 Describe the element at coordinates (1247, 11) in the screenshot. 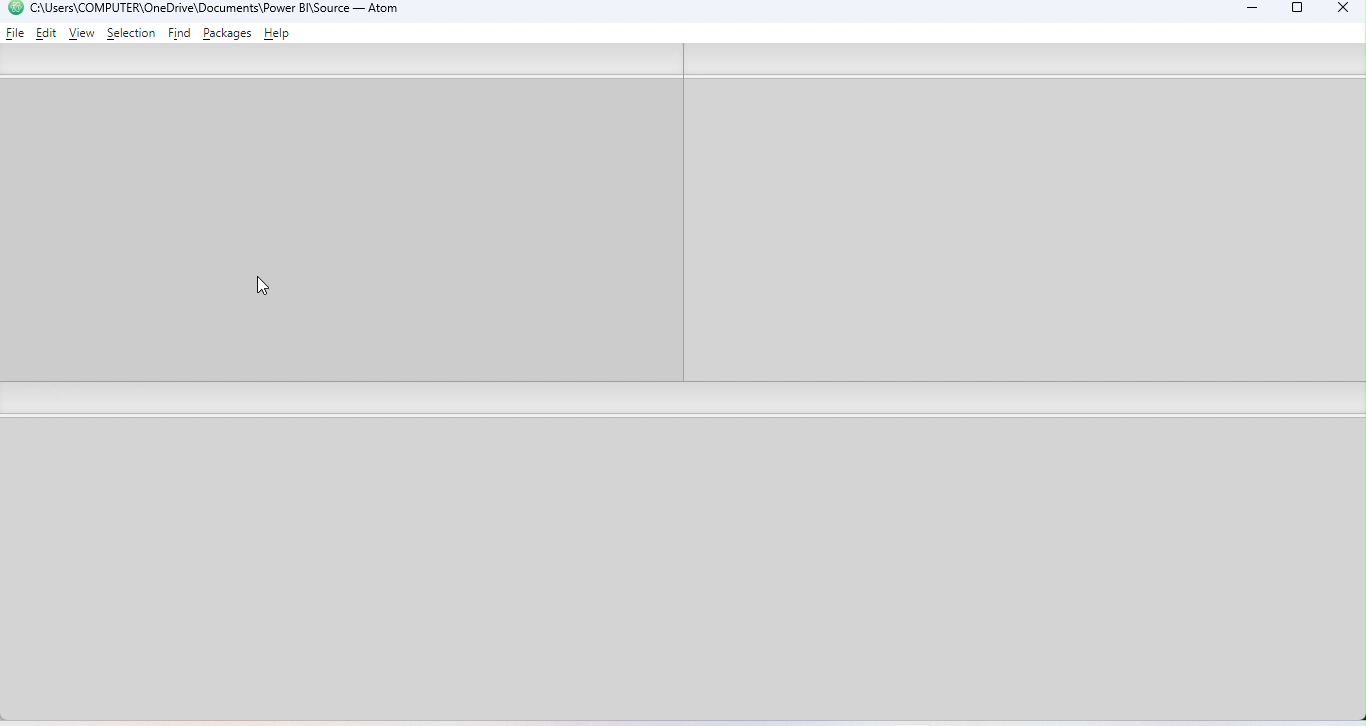

I see `Minimize` at that location.